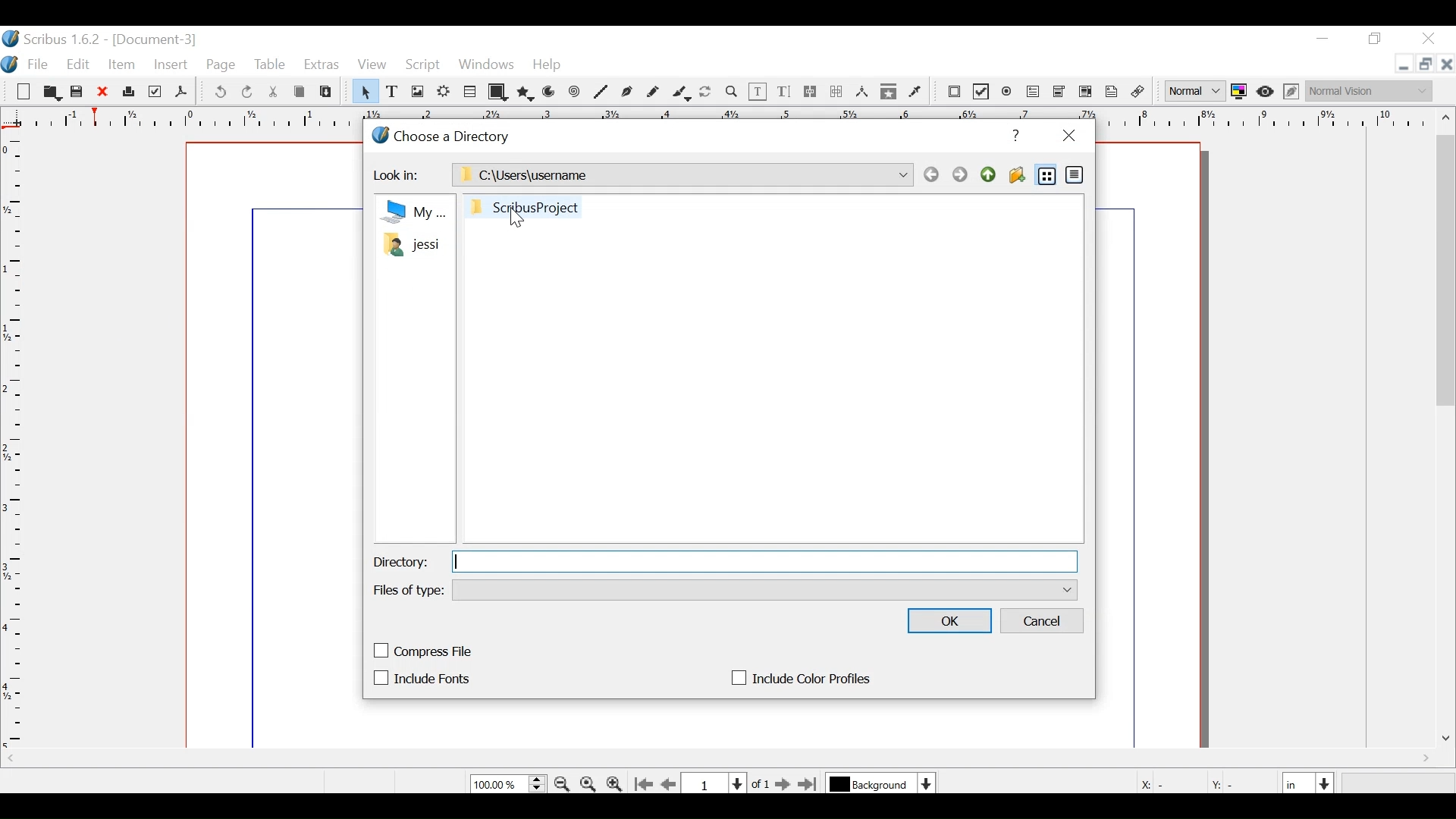 The height and width of the screenshot is (819, 1456). What do you see at coordinates (861, 92) in the screenshot?
I see `Measurements` at bounding box center [861, 92].